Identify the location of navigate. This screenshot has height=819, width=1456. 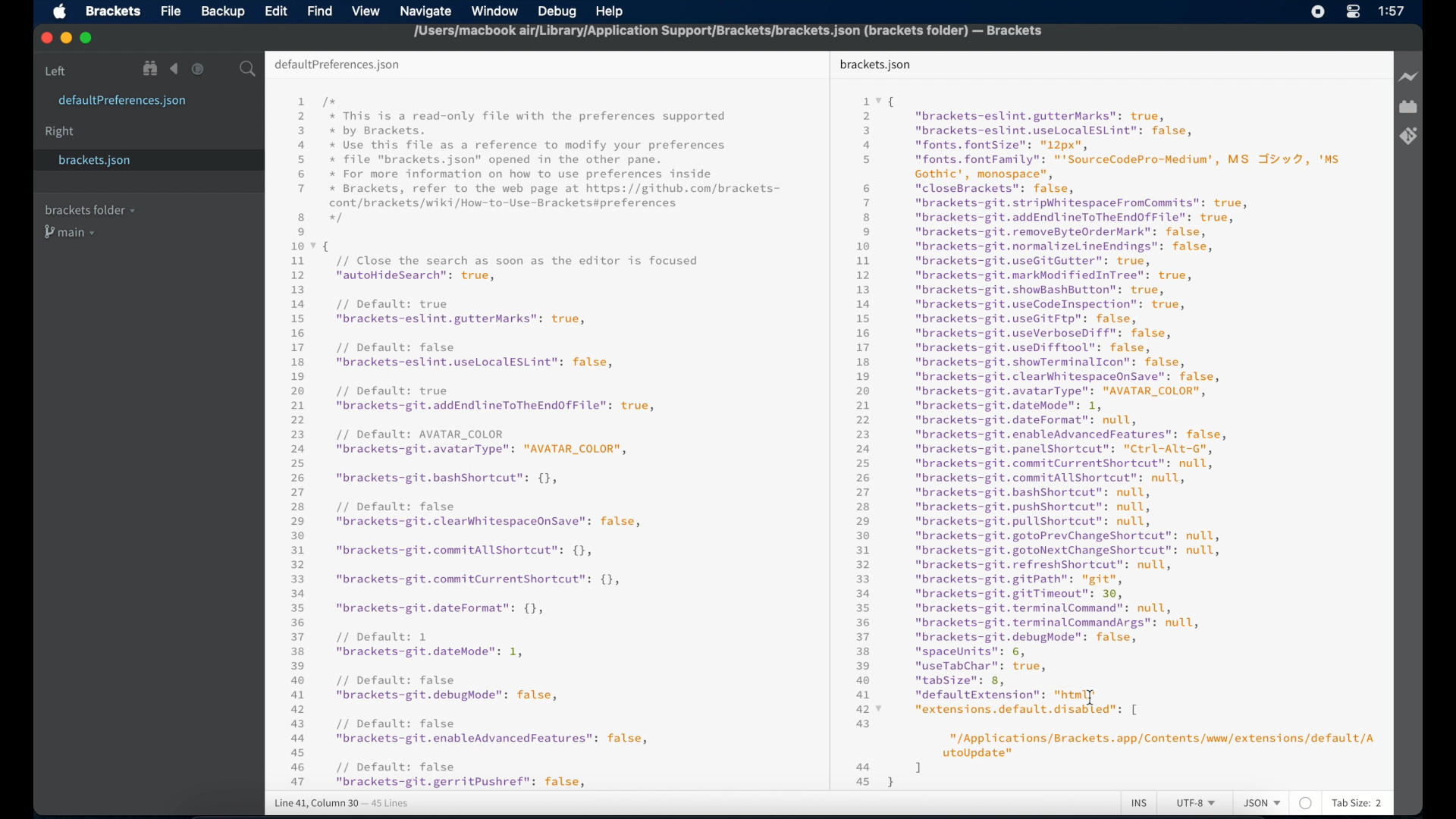
(427, 12).